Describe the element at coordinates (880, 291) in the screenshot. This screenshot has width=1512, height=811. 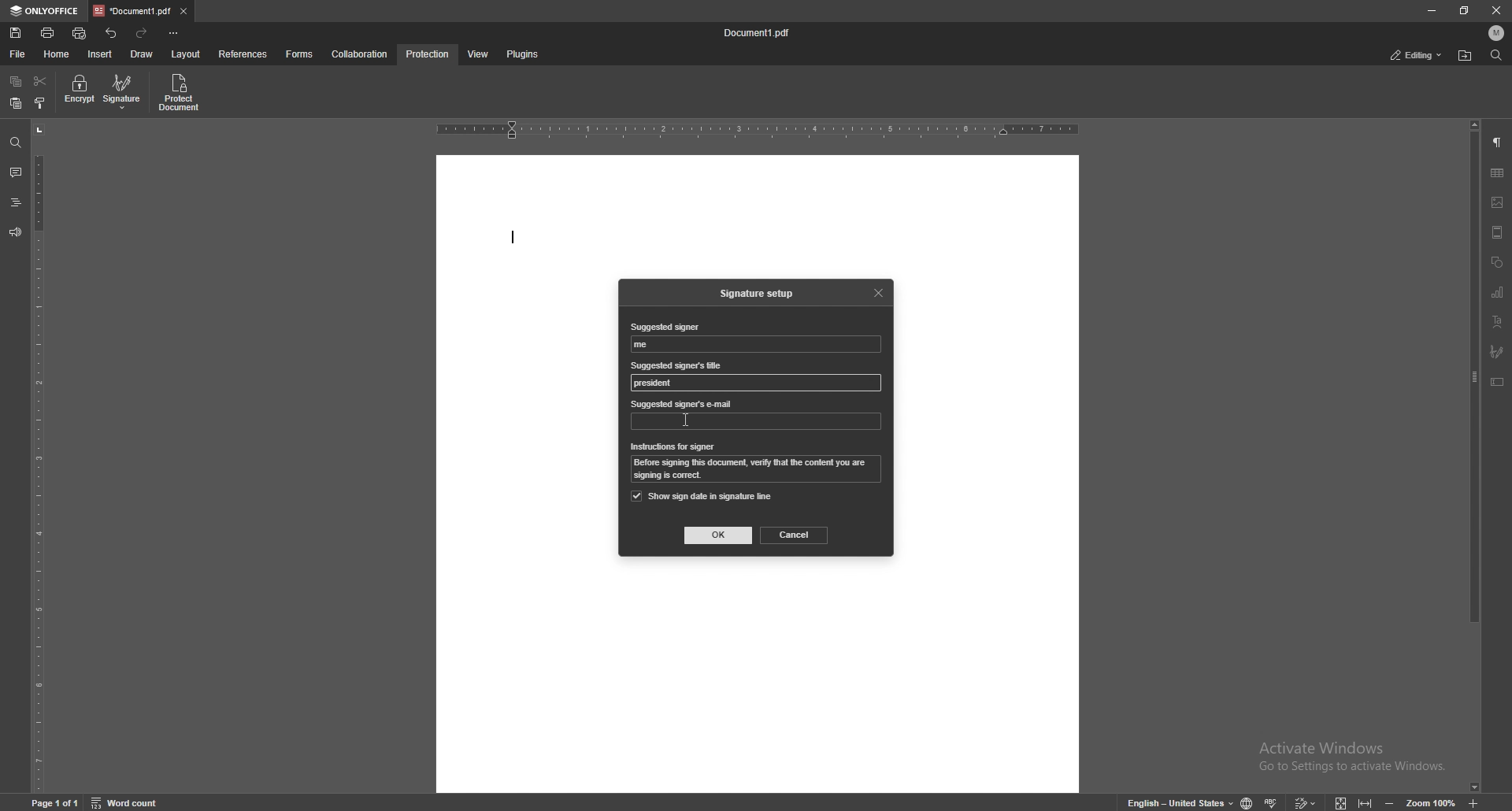
I see `close` at that location.